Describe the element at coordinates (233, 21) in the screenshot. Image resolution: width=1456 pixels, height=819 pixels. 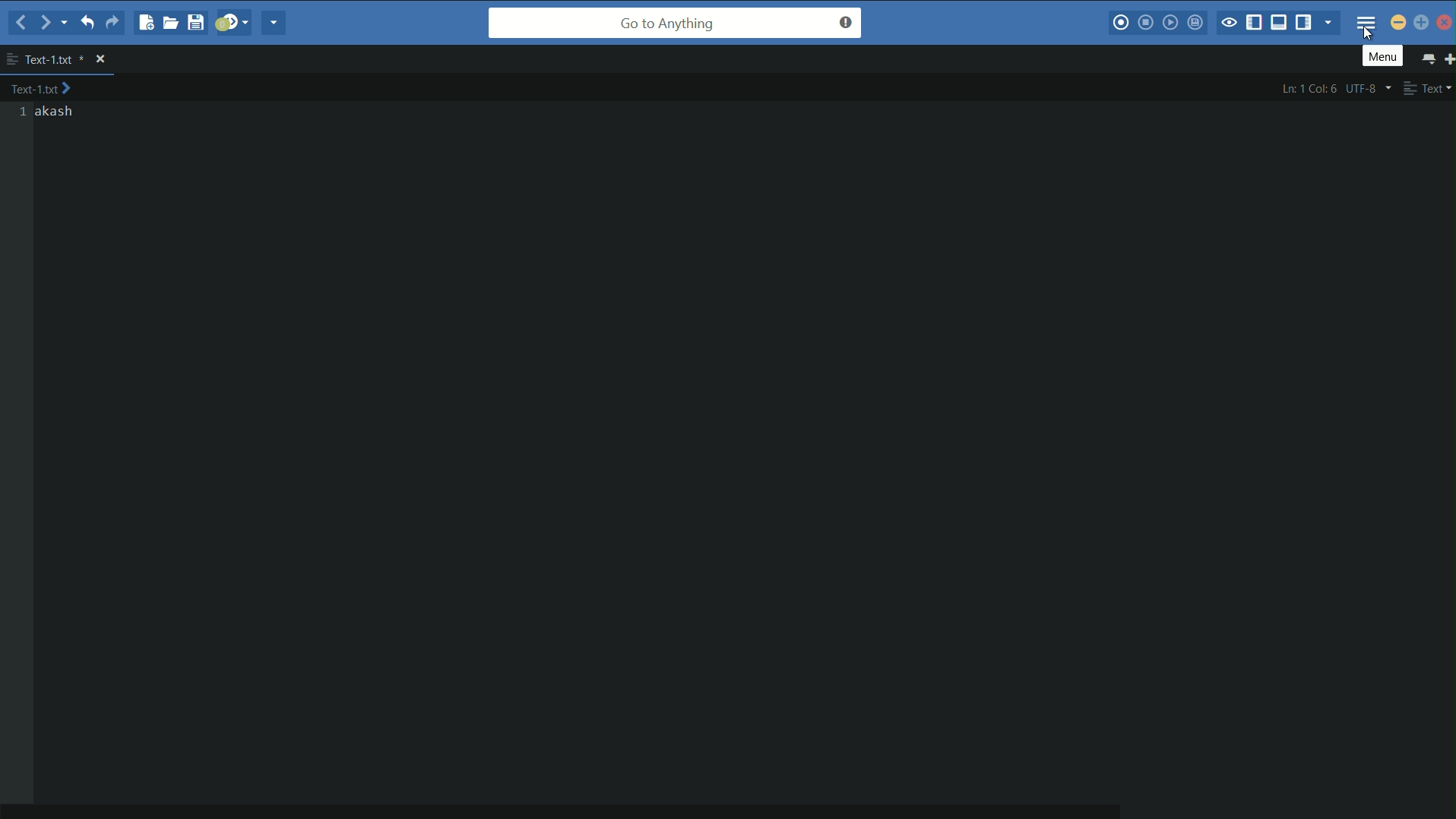
I see `jump to next syntax checking result` at that location.